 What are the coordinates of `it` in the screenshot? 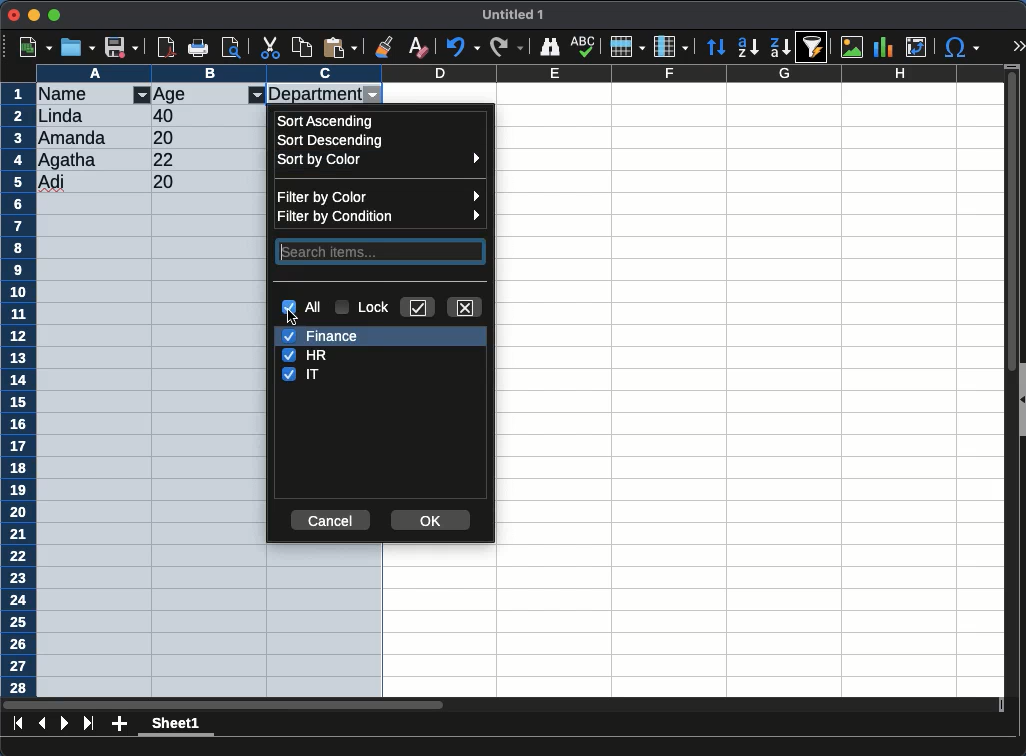 It's located at (303, 375).